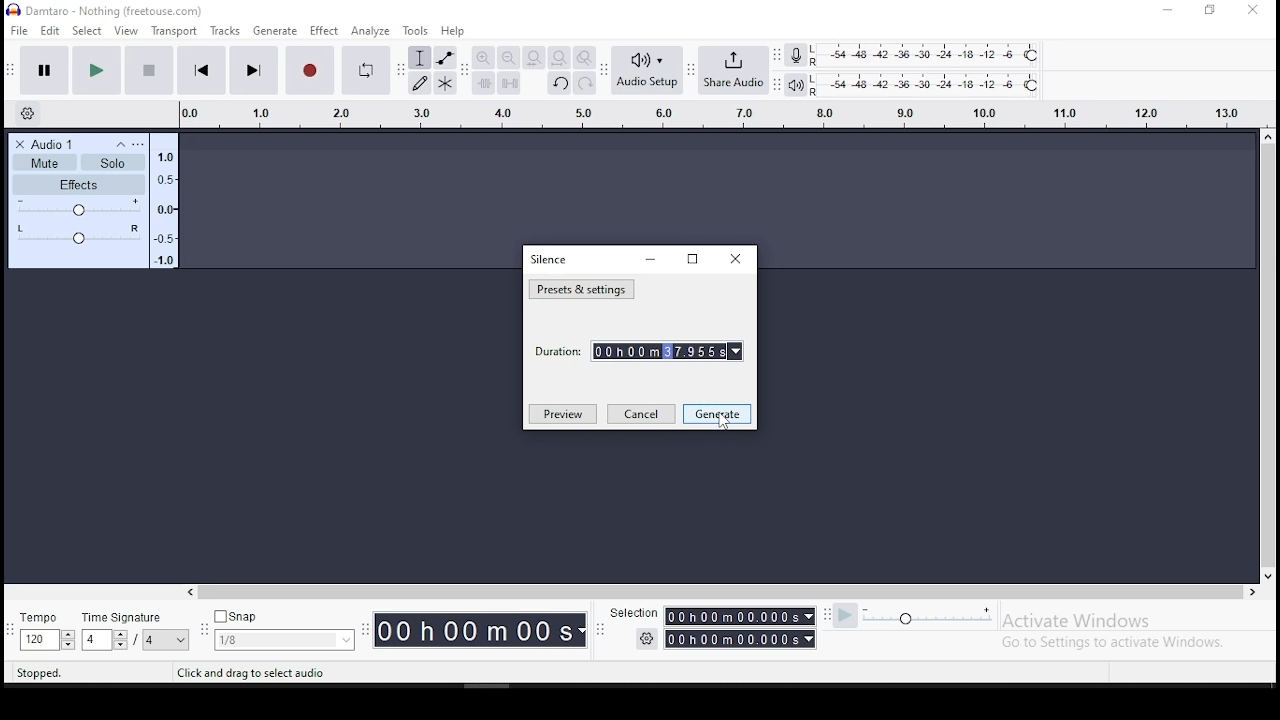 The height and width of the screenshot is (720, 1280). What do you see at coordinates (562, 413) in the screenshot?
I see `preview` at bounding box center [562, 413].